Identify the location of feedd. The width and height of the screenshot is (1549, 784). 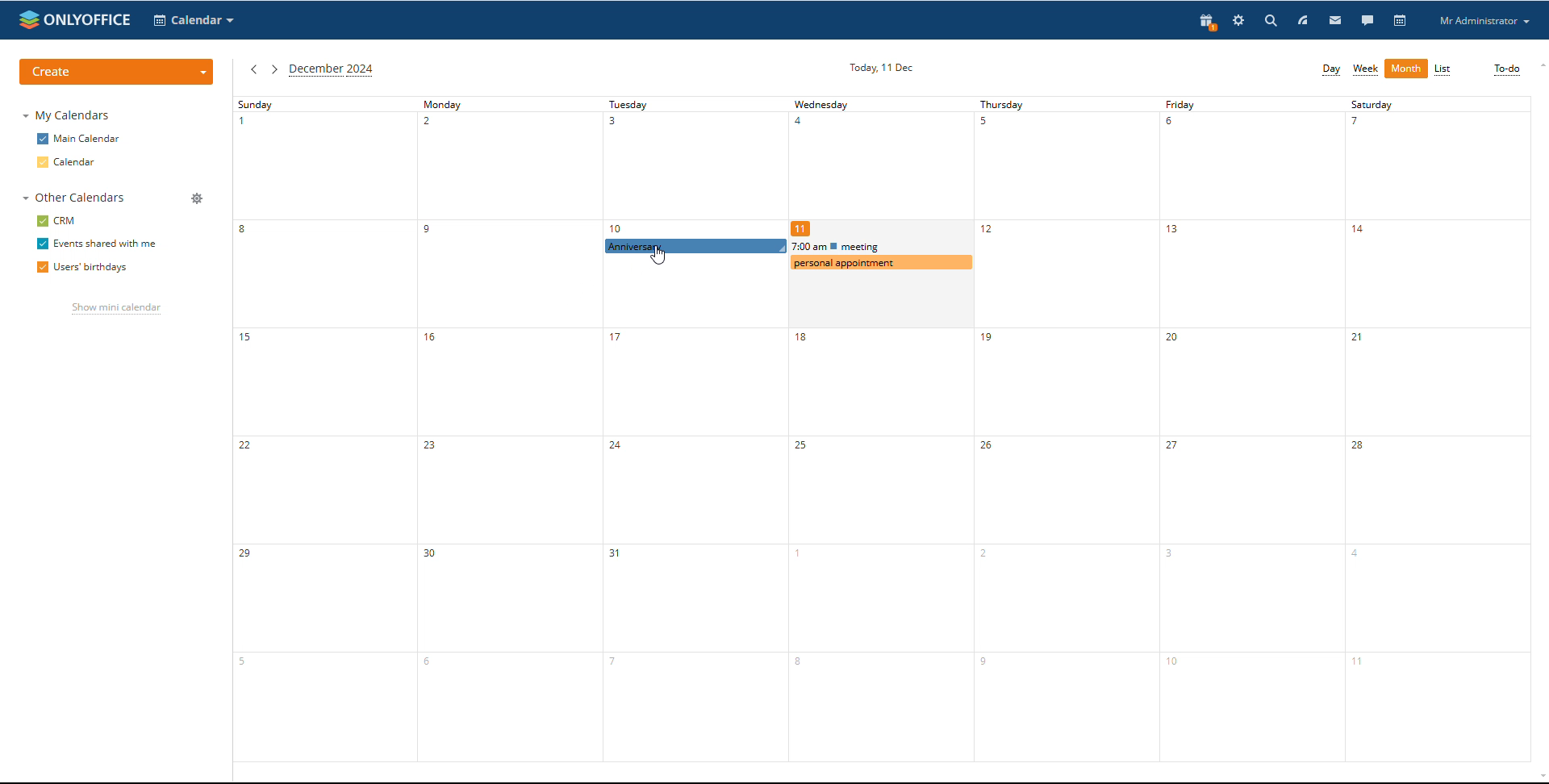
(1303, 20).